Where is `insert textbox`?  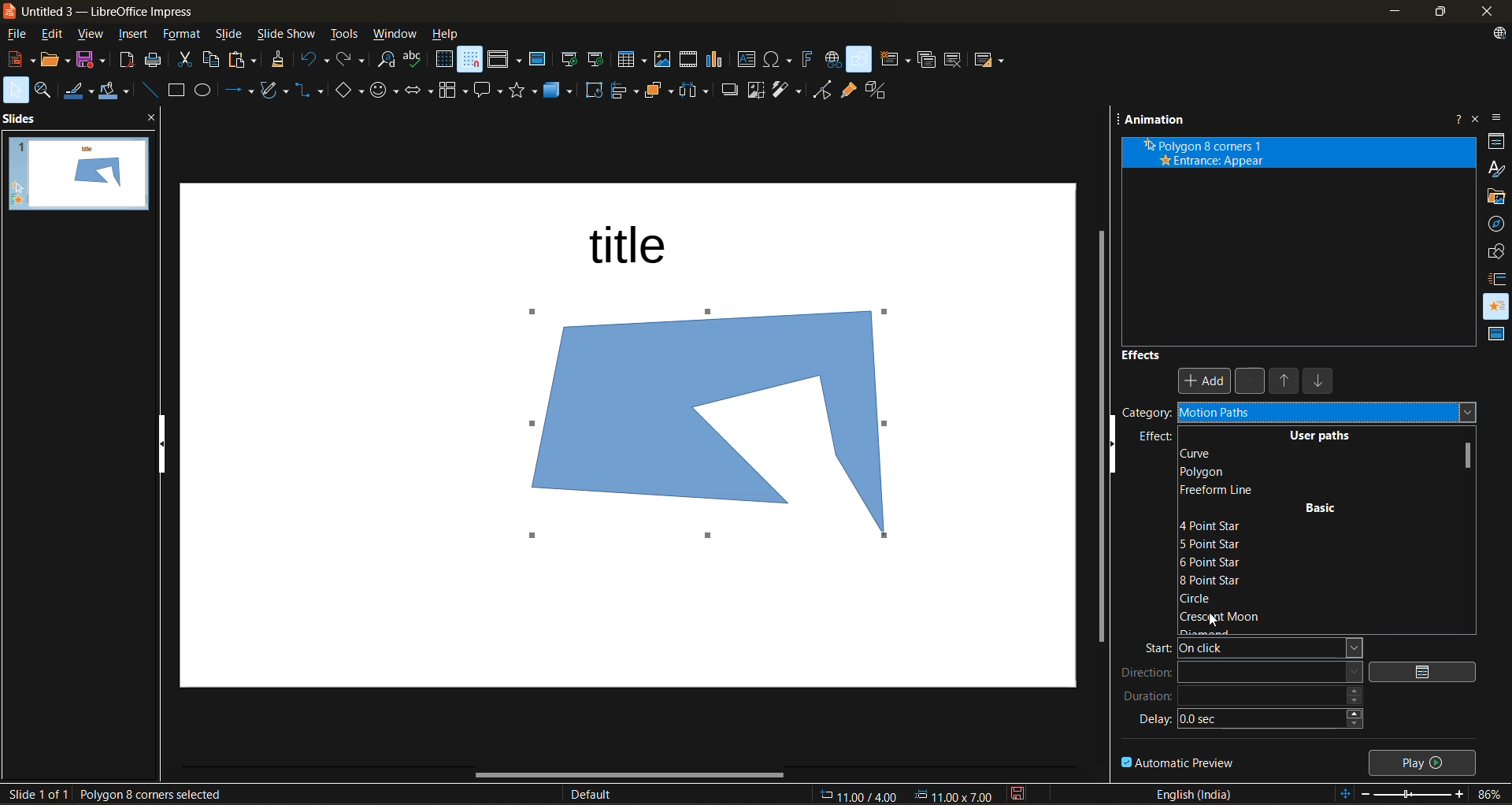 insert textbox is located at coordinates (744, 61).